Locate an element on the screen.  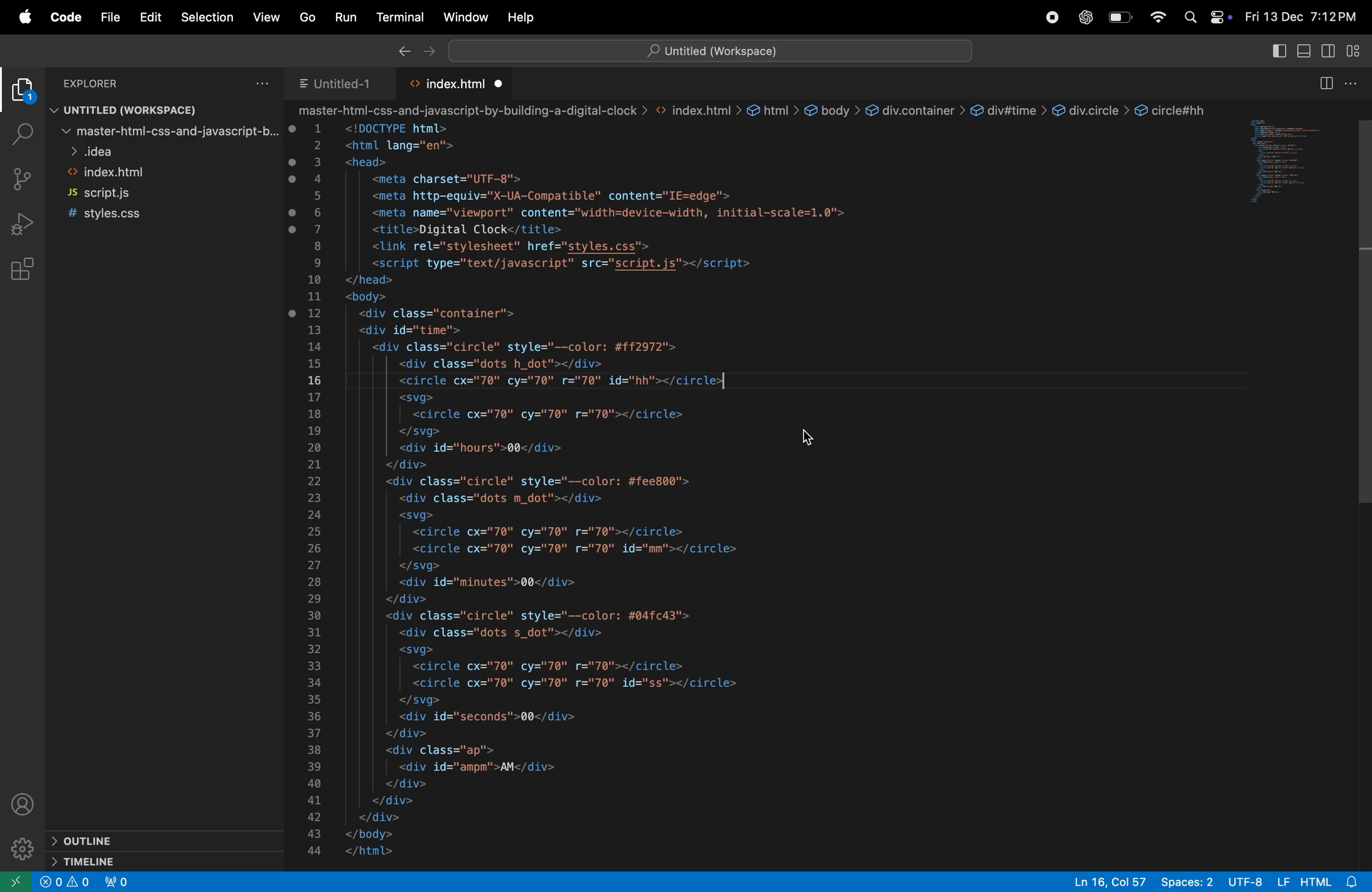
apple menu is located at coordinates (24, 17).